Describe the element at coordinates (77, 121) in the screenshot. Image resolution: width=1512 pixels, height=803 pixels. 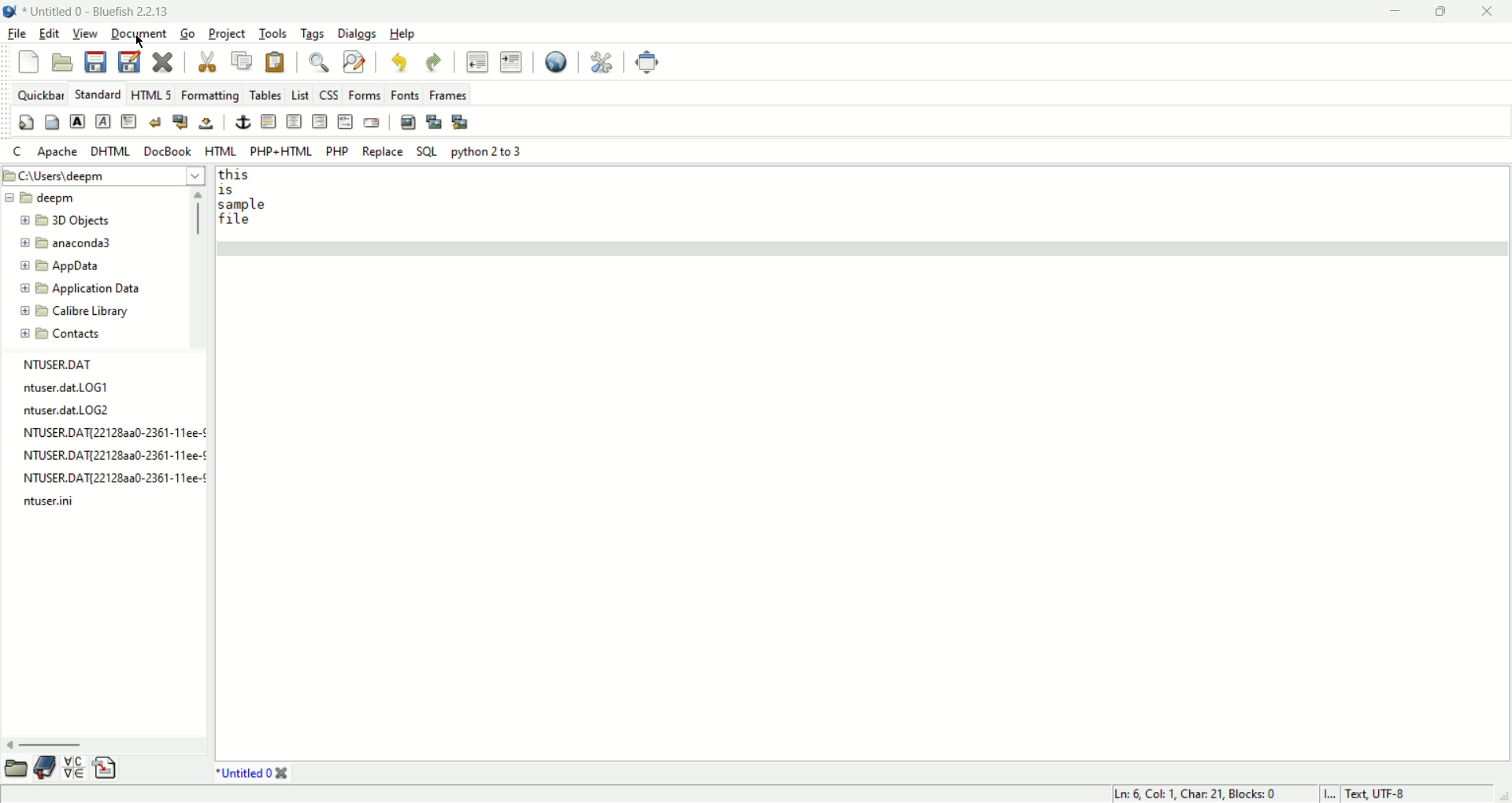
I see `strong` at that location.